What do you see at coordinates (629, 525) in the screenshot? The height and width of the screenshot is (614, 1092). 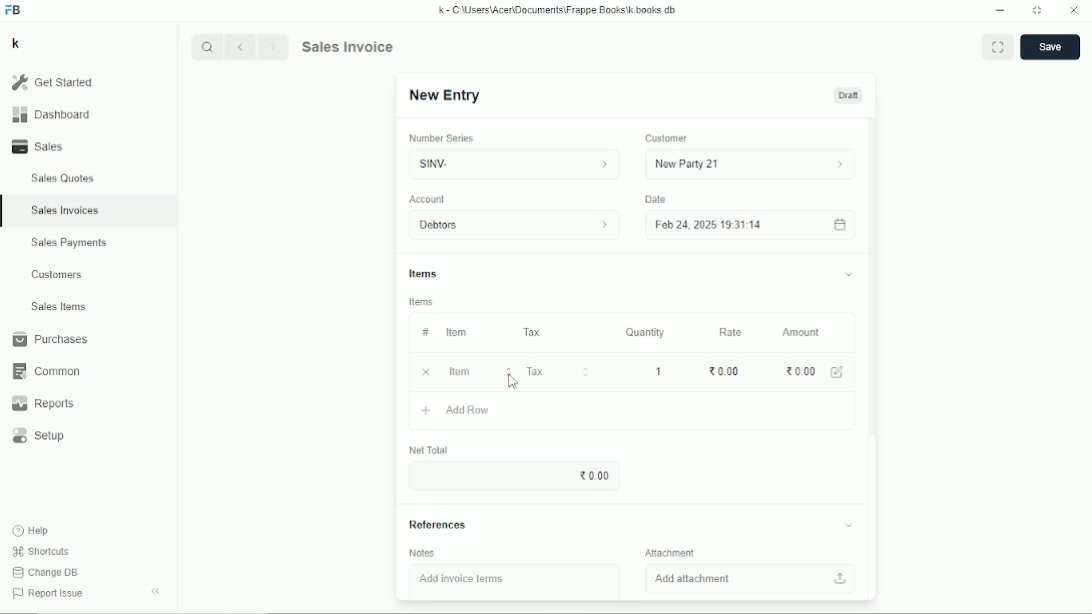 I see `References` at bounding box center [629, 525].